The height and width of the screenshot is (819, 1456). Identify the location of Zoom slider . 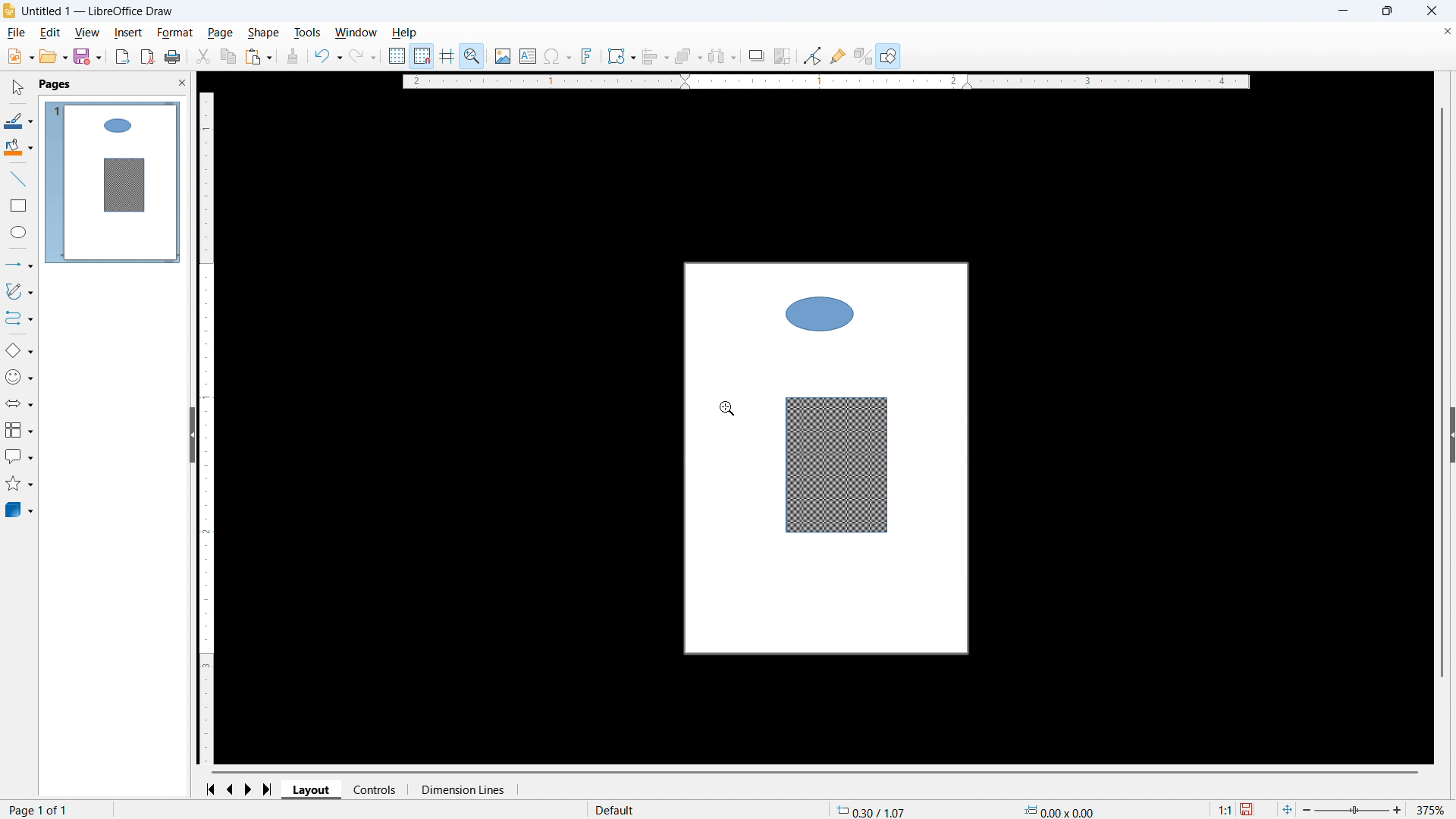
(1354, 811).